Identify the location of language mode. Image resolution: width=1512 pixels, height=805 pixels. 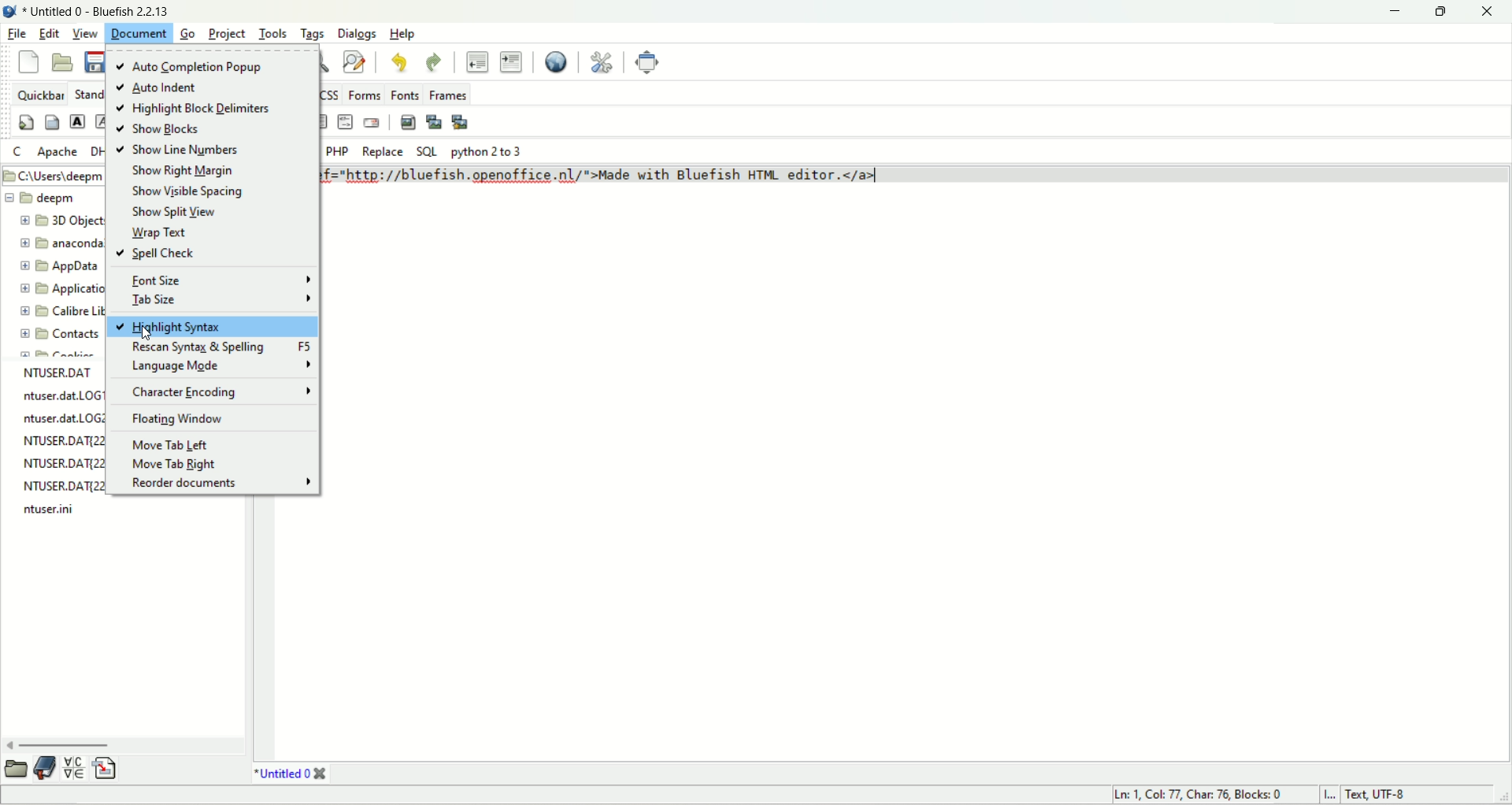
(222, 365).